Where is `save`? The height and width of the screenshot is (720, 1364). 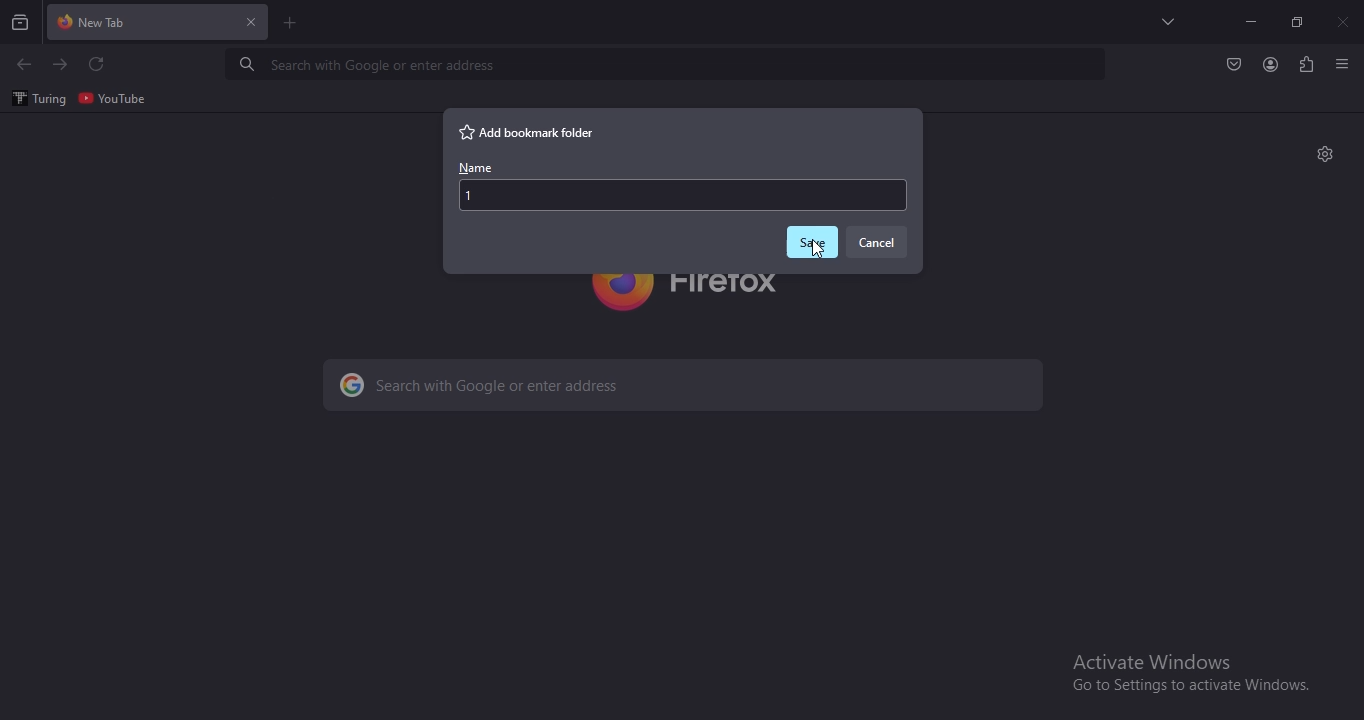
save is located at coordinates (812, 243).